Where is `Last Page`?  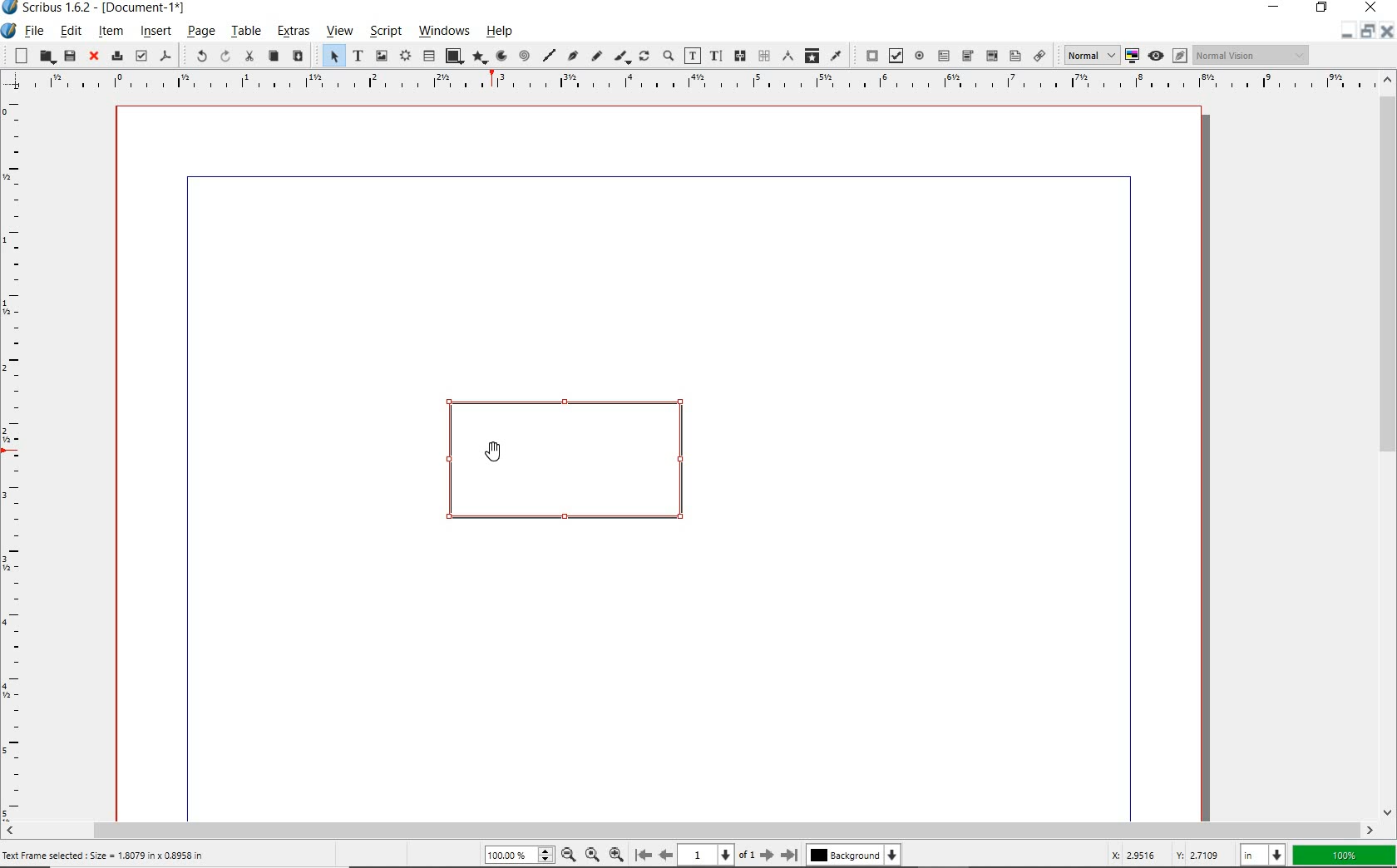
Last Page is located at coordinates (791, 855).